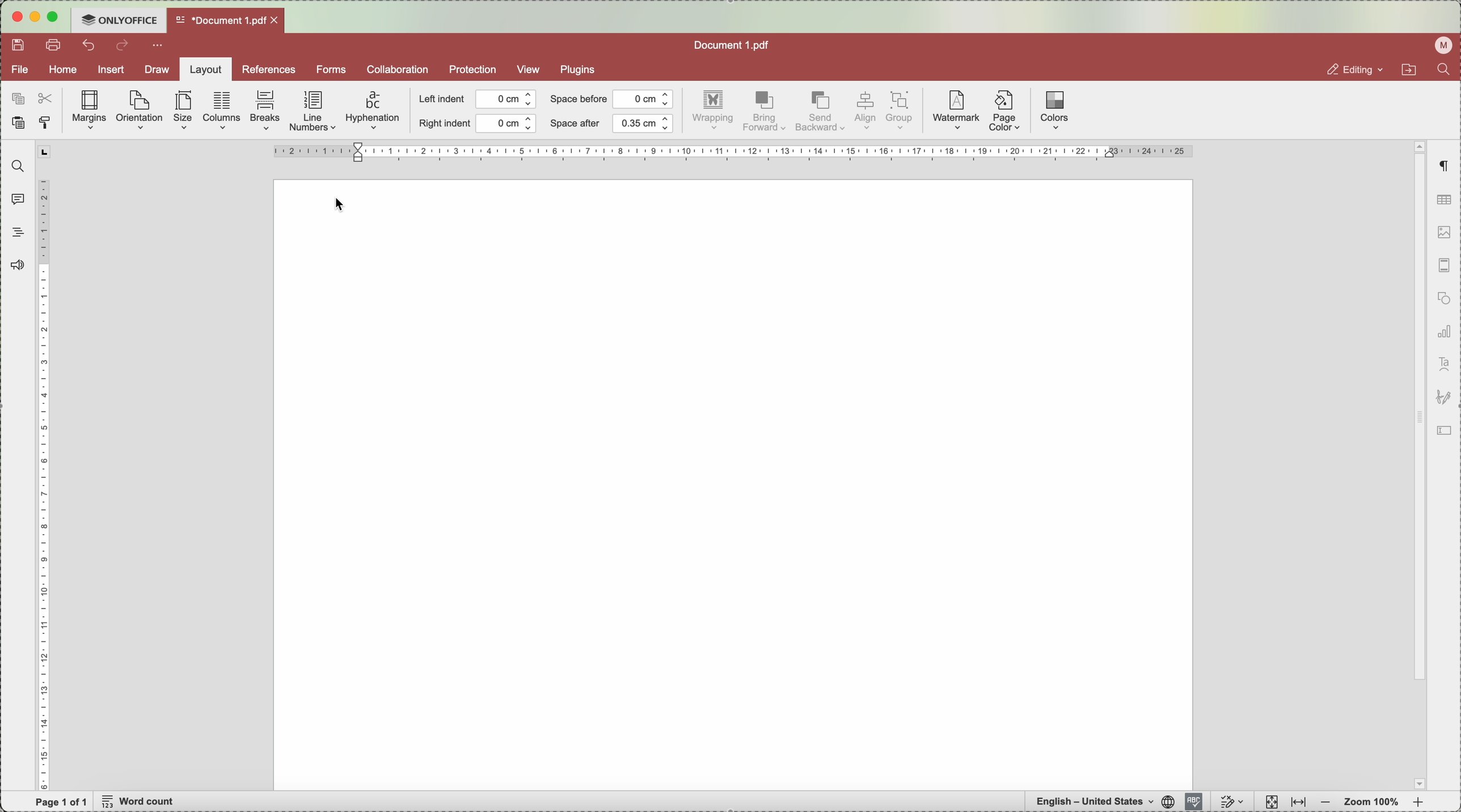 This screenshot has height=812, width=1461. I want to click on zoom in, so click(1418, 803).